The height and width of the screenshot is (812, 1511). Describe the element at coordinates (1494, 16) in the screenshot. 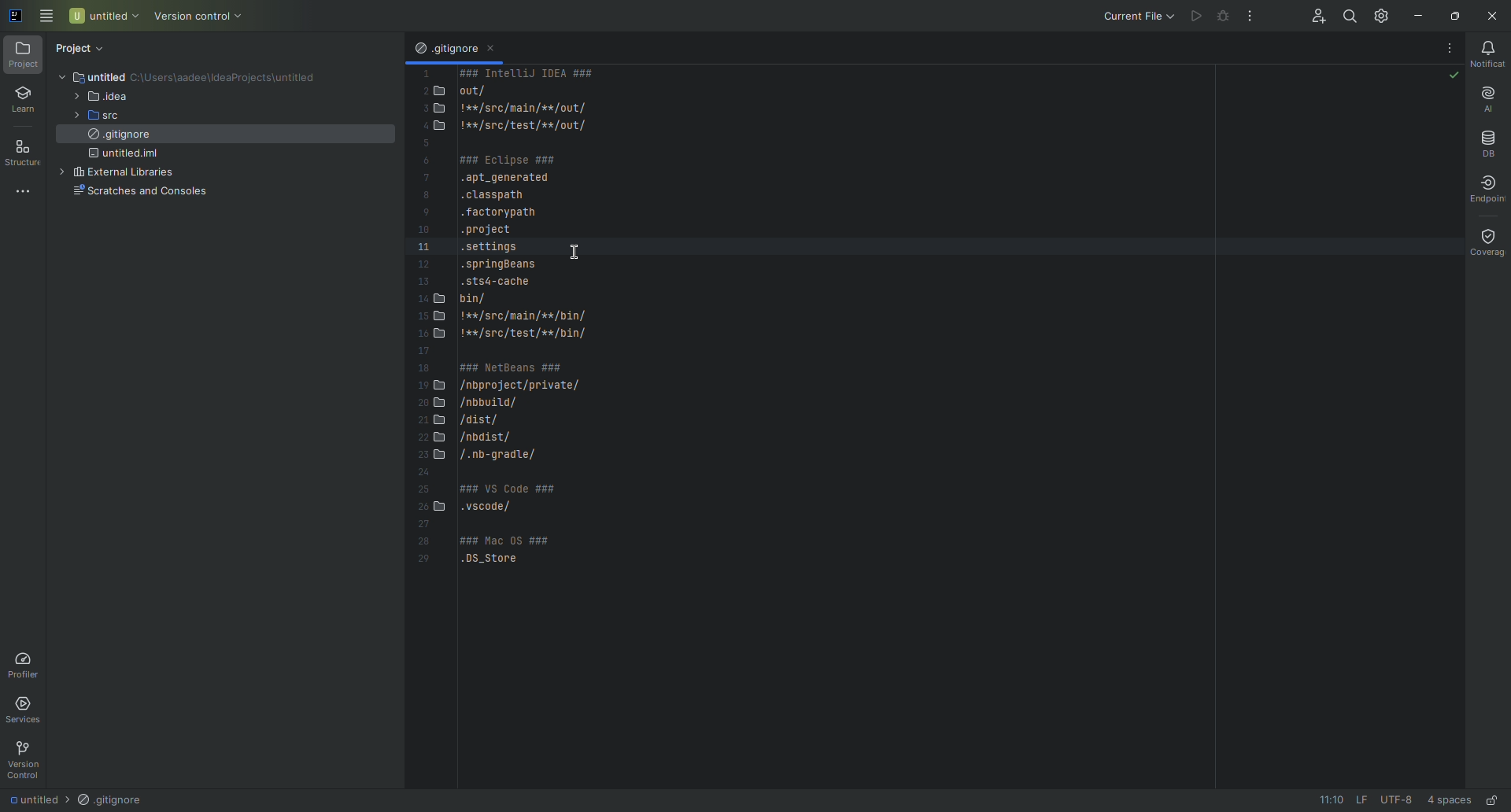

I see `Close` at that location.